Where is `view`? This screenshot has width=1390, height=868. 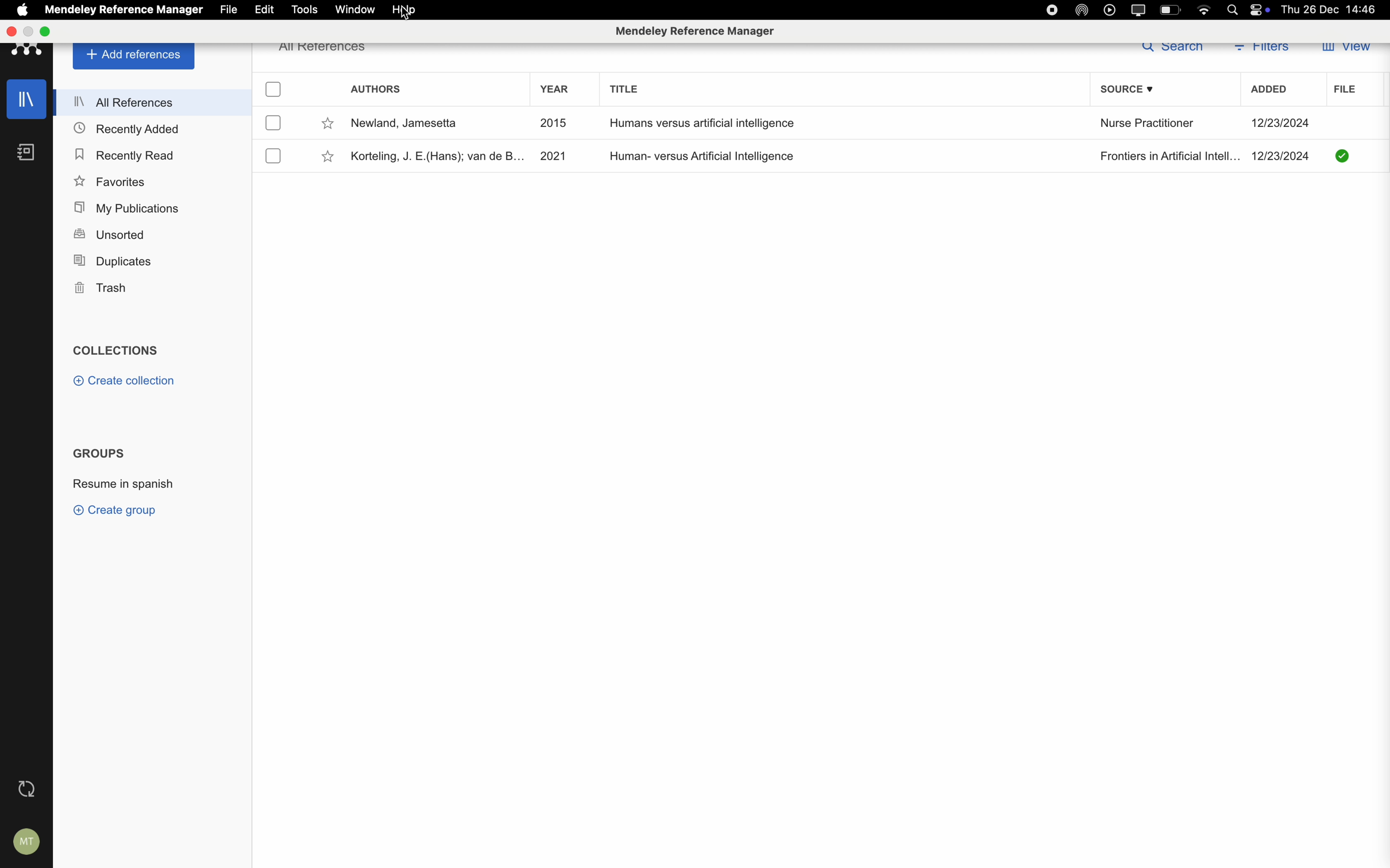 view is located at coordinates (1347, 51).